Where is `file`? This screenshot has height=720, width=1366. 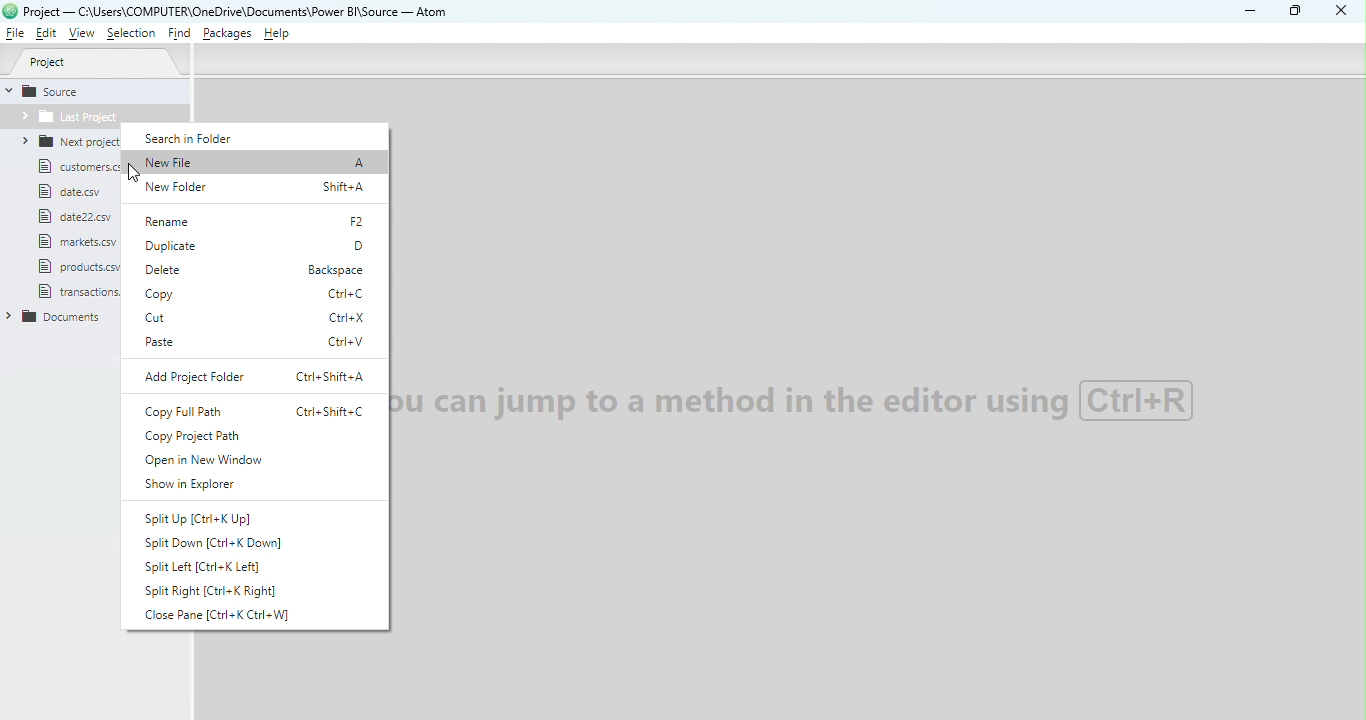
file is located at coordinates (77, 240).